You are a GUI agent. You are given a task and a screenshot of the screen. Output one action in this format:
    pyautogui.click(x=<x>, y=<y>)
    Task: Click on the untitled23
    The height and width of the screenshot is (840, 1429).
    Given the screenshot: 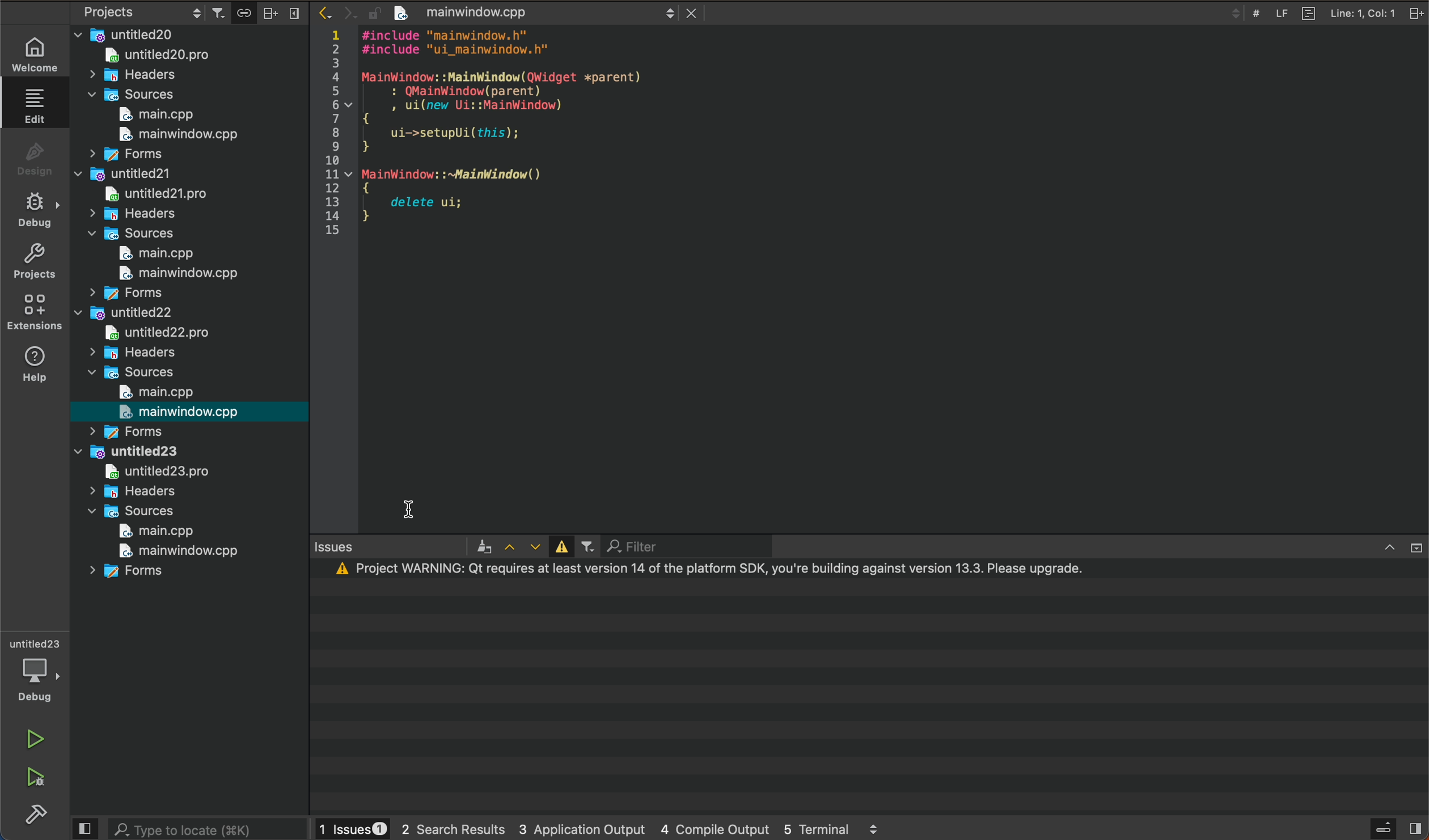 What is the action you would take?
    pyautogui.click(x=130, y=452)
    